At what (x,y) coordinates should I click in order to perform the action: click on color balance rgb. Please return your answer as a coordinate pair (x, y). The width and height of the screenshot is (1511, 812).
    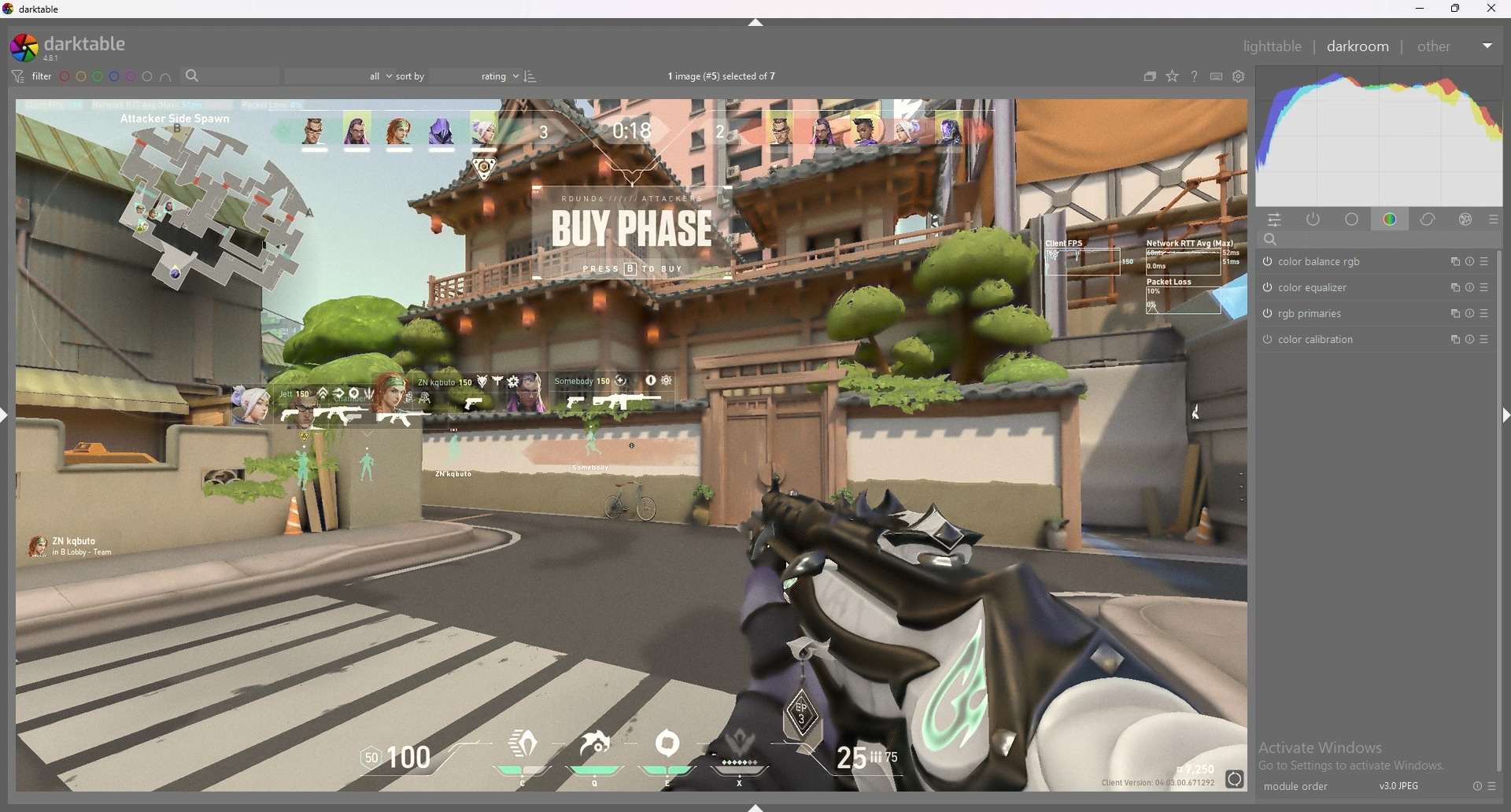
    Looking at the image, I should click on (1330, 261).